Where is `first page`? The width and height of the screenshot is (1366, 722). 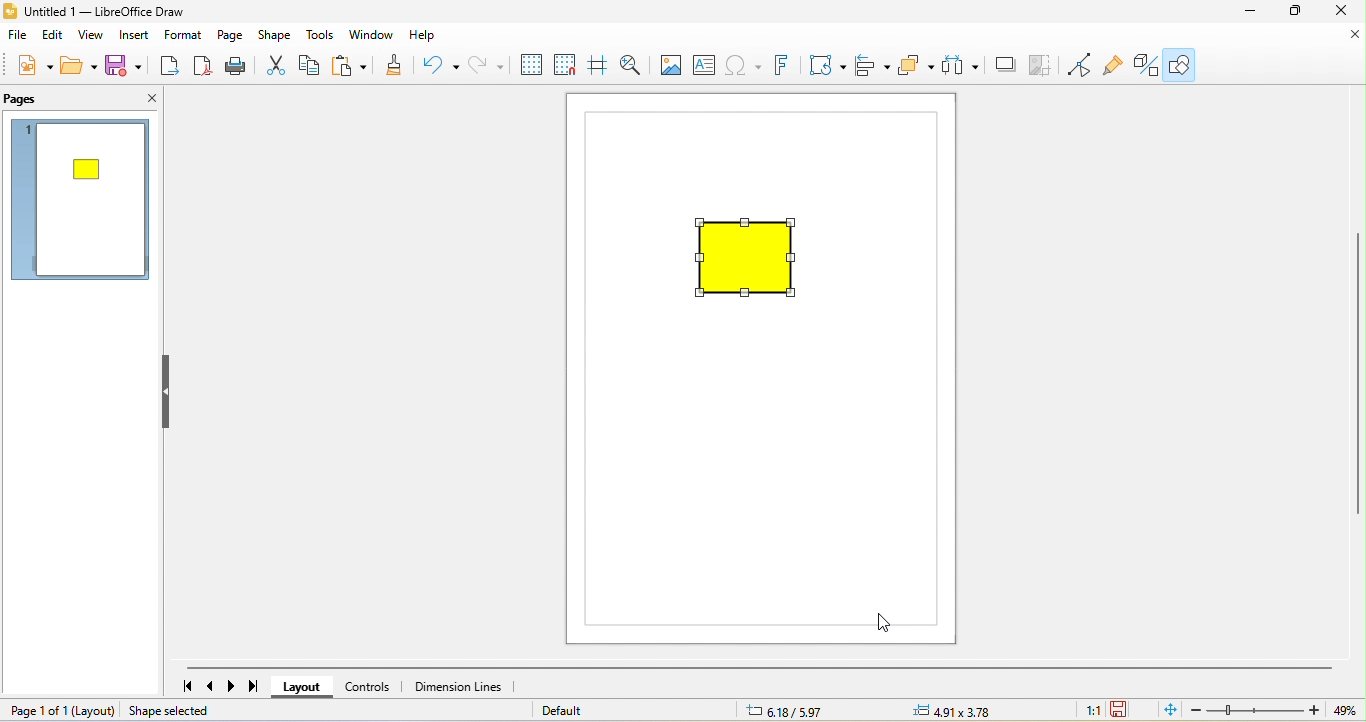
first page is located at coordinates (181, 687).